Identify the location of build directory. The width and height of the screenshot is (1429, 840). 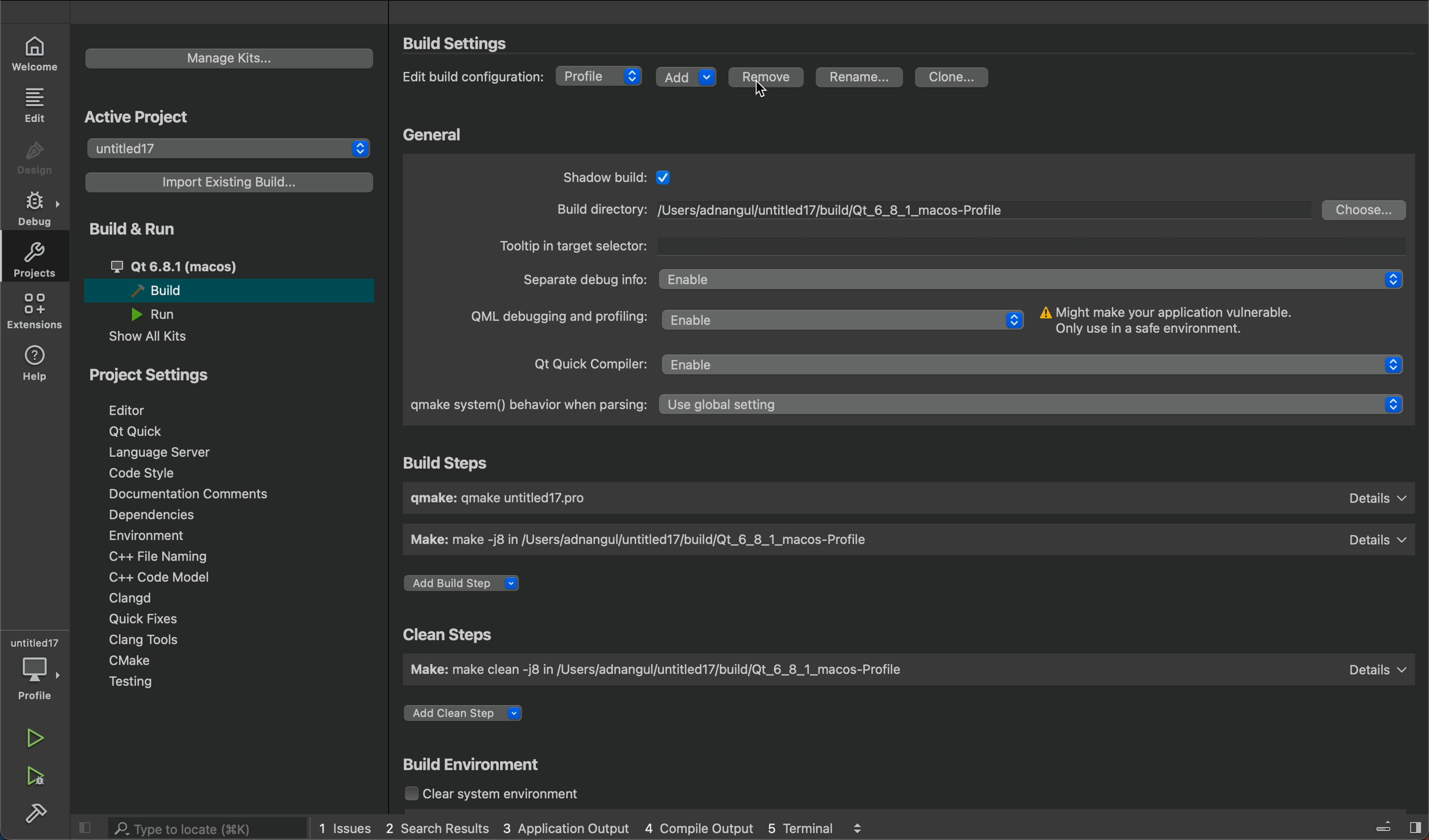
(591, 211).